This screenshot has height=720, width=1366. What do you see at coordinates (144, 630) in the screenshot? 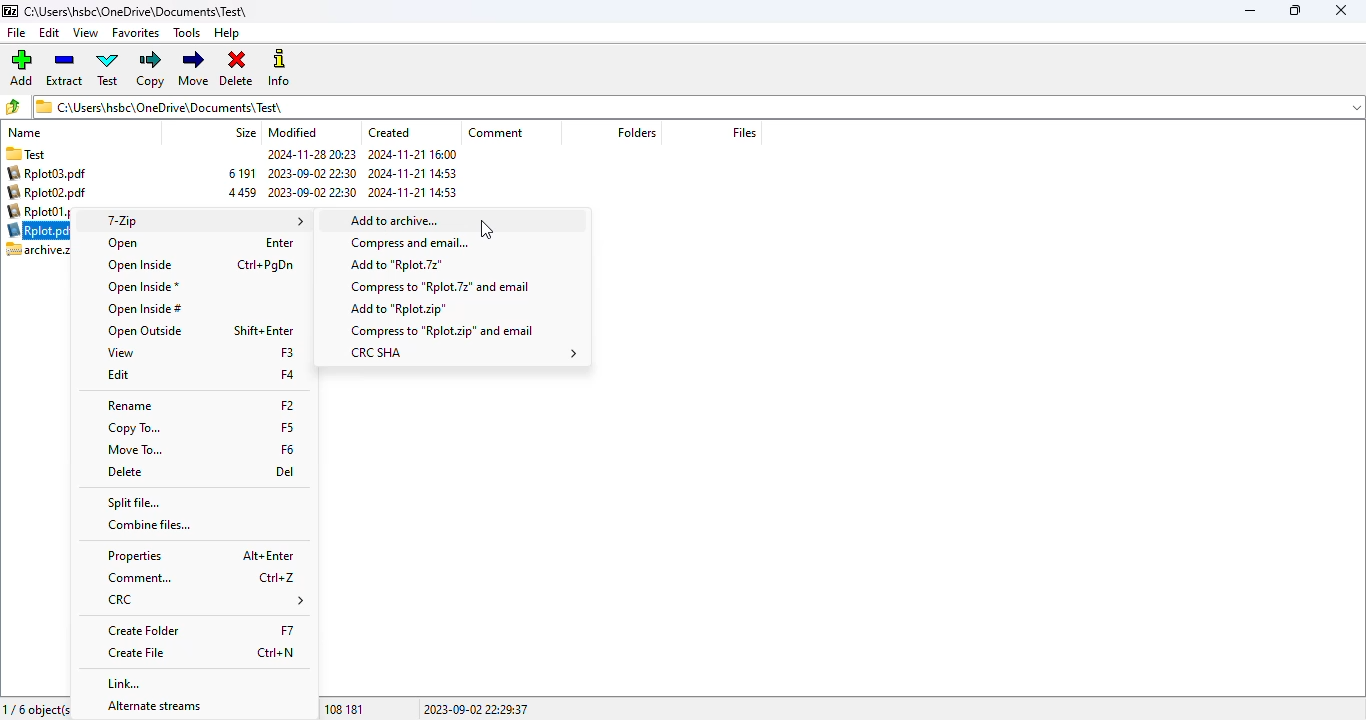
I see `create folder` at bounding box center [144, 630].